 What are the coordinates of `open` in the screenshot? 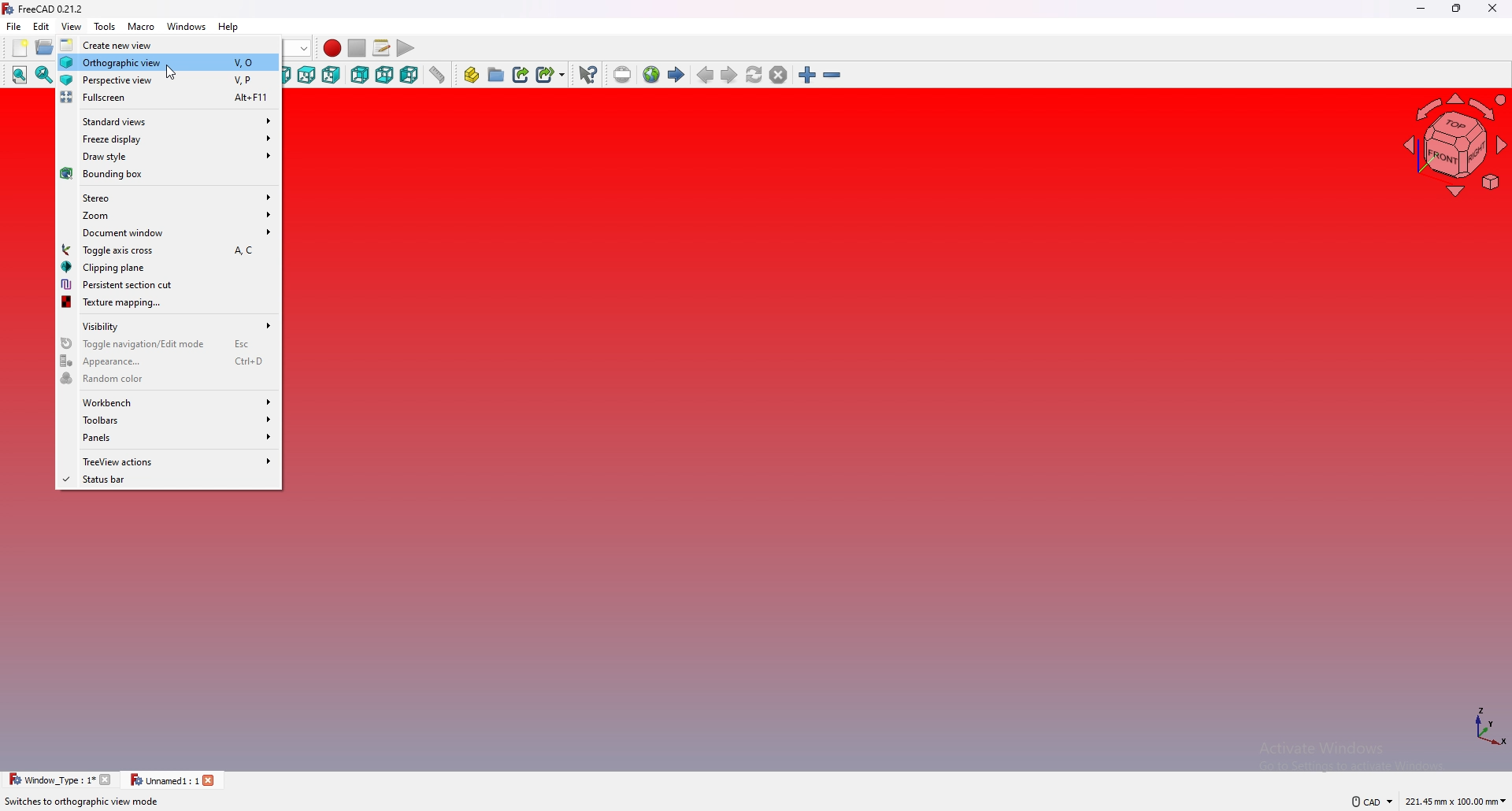 It's located at (43, 46).